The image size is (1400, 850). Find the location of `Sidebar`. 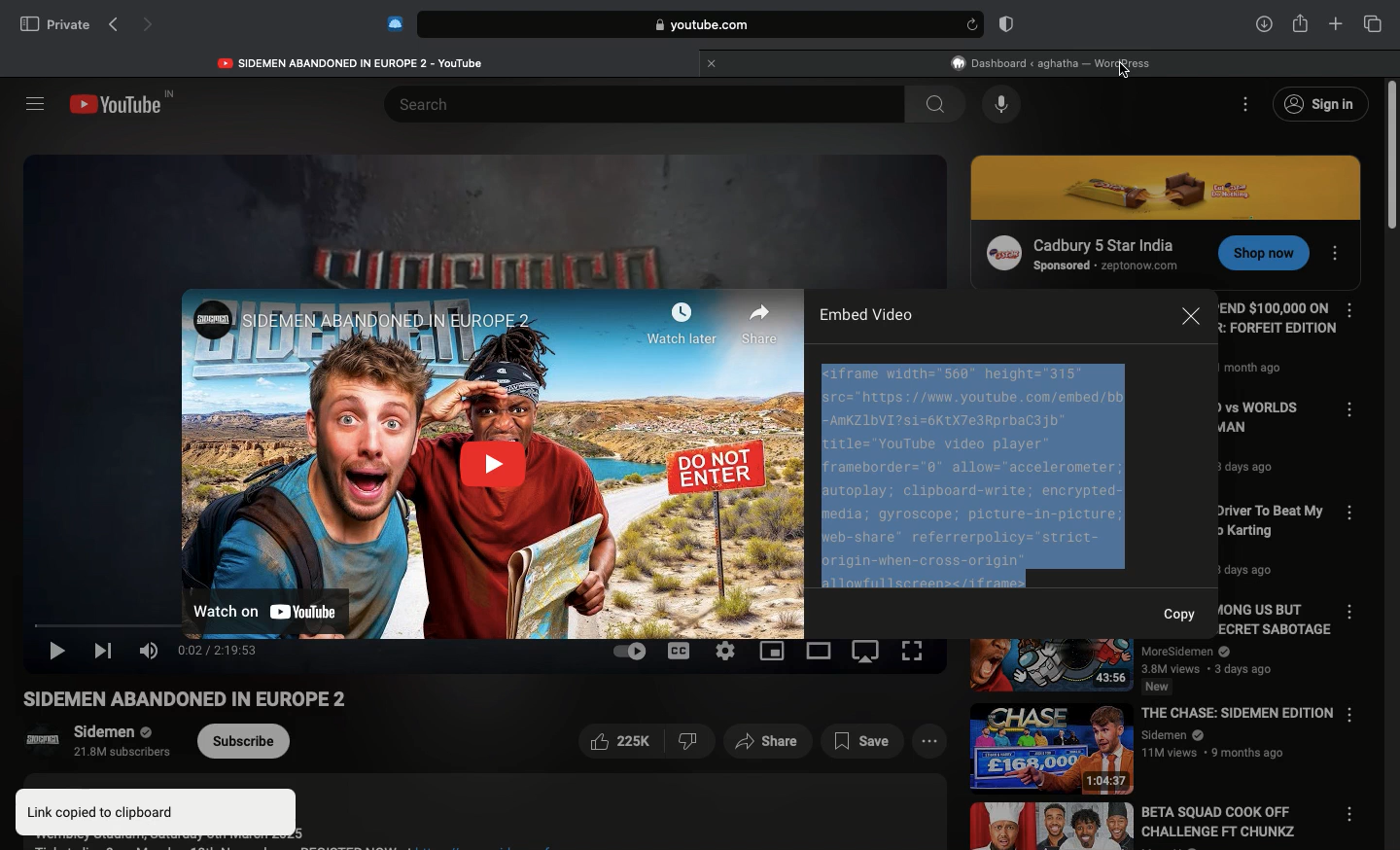

Sidebar is located at coordinates (34, 103).